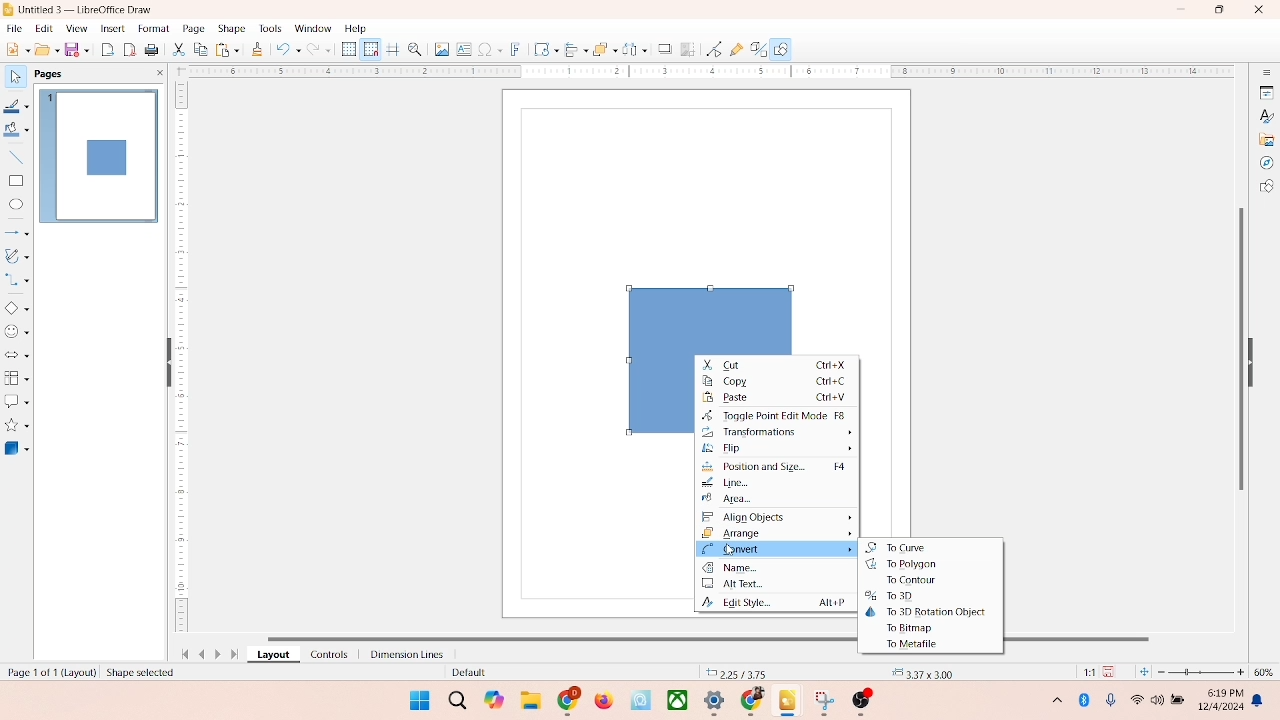 The height and width of the screenshot is (720, 1280). Describe the element at coordinates (220, 654) in the screenshot. I see `next page` at that location.